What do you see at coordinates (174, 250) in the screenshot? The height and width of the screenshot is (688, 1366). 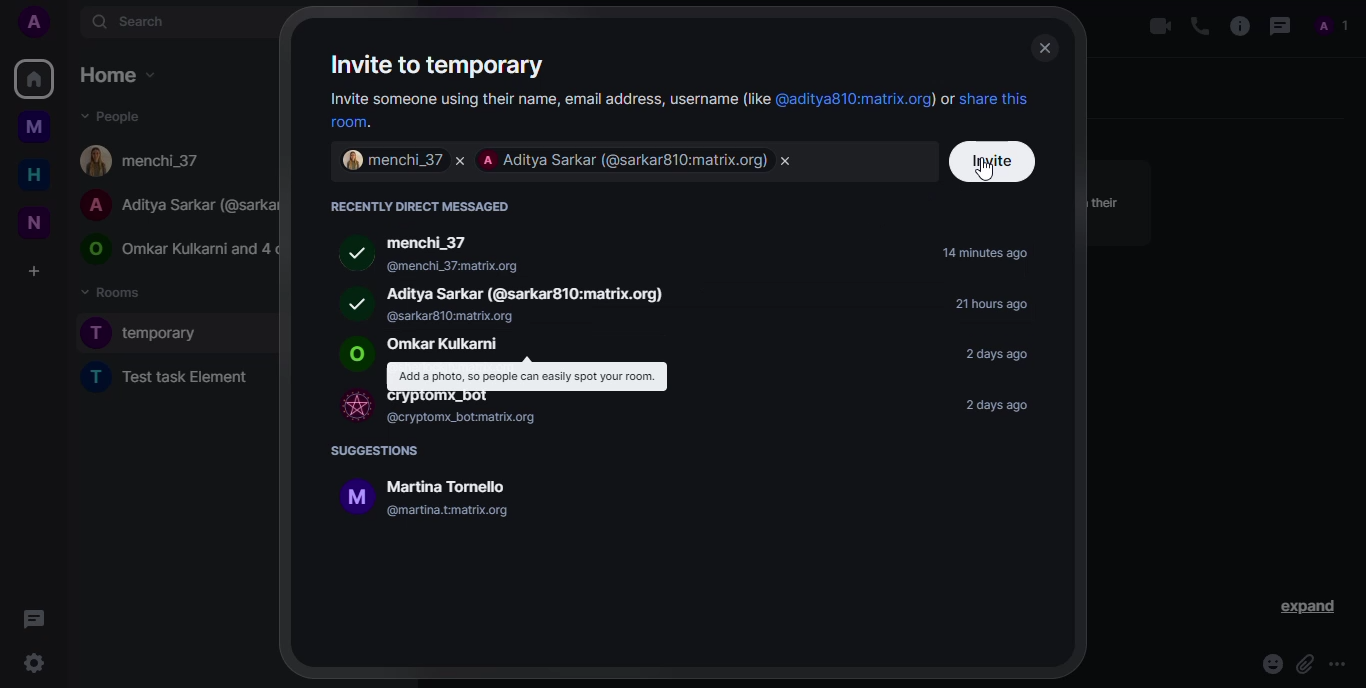 I see `peoPLe` at bounding box center [174, 250].